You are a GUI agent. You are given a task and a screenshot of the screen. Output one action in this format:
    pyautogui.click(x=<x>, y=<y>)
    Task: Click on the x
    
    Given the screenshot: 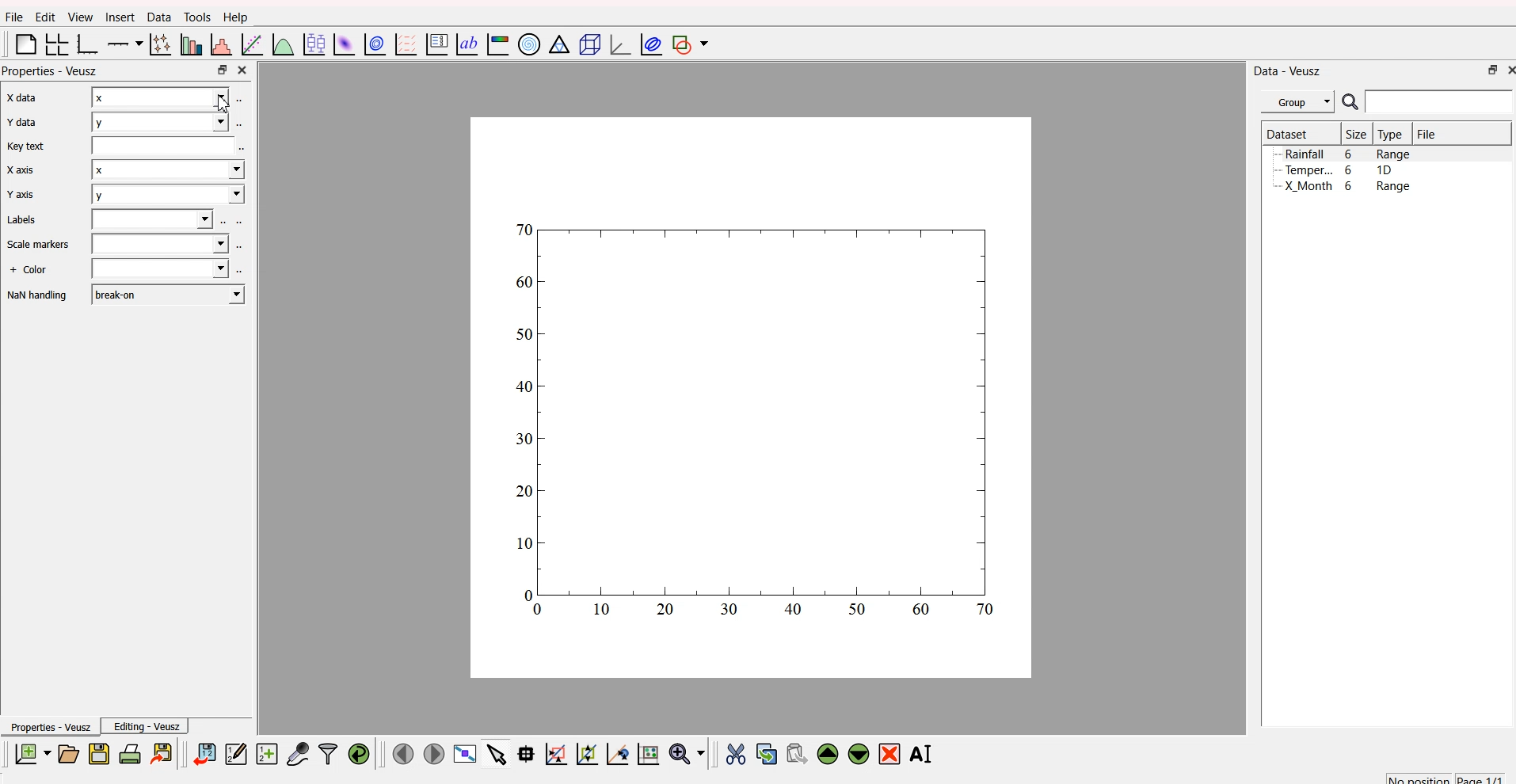 What is the action you would take?
    pyautogui.click(x=161, y=97)
    